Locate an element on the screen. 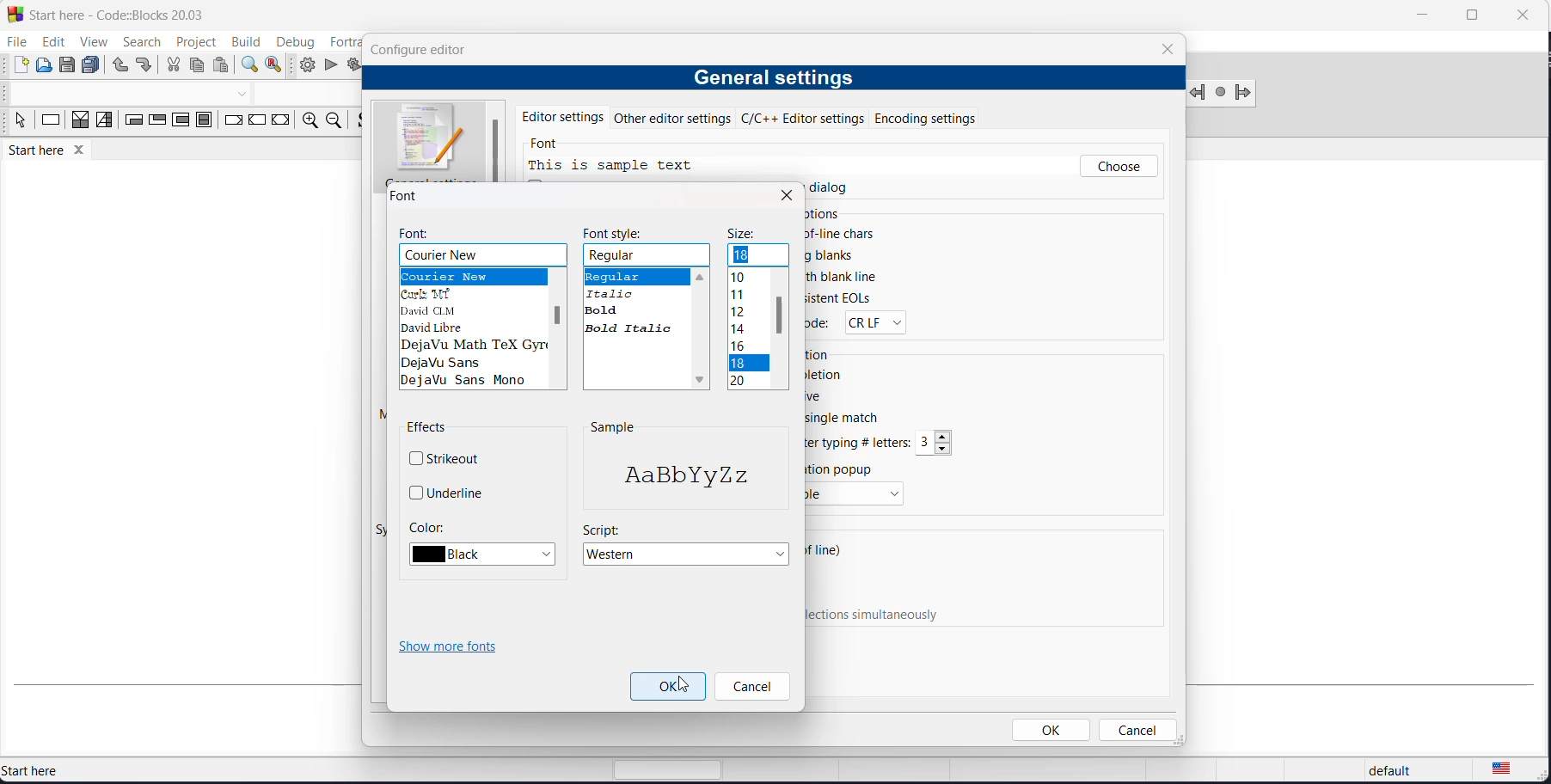 The image size is (1551, 784). file is located at coordinates (15, 42).